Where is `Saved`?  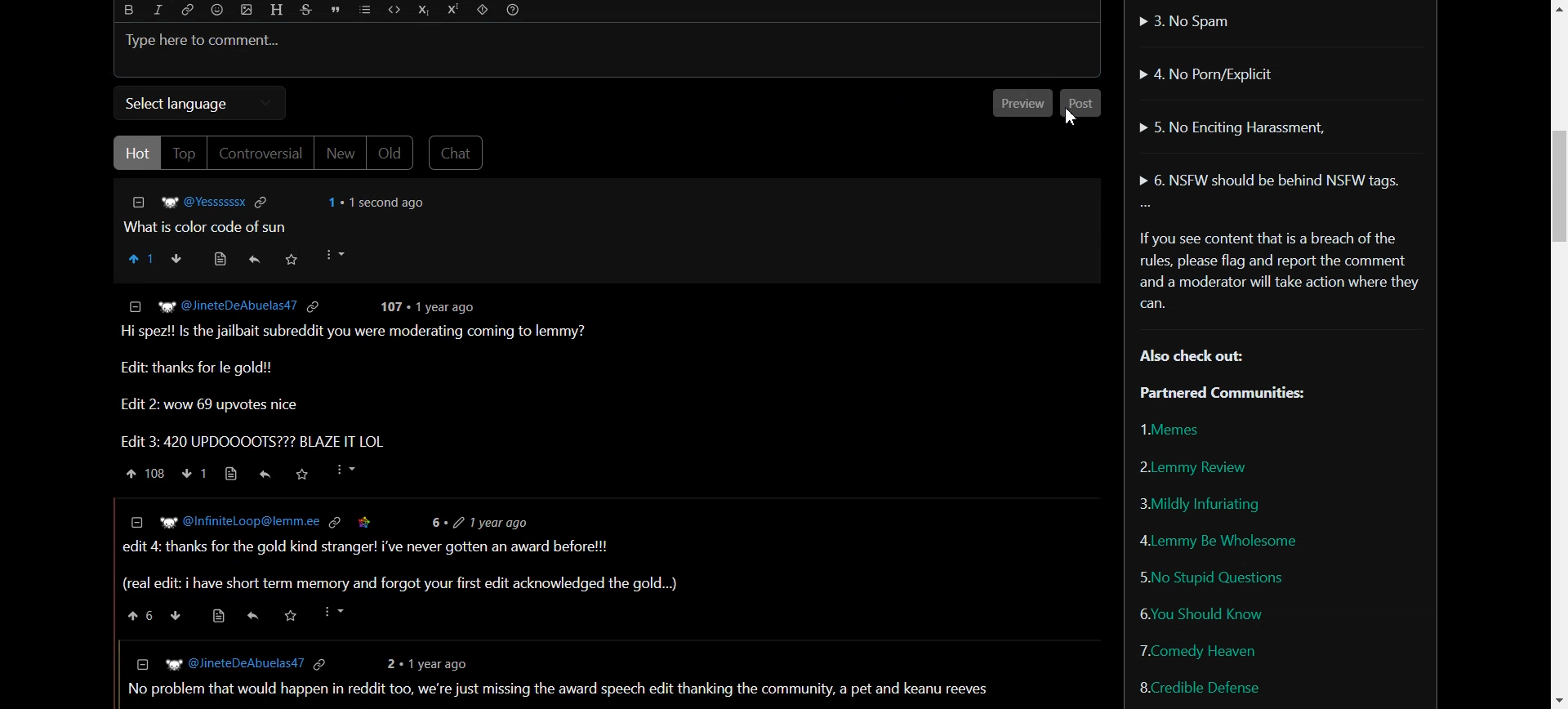 Saved is located at coordinates (292, 261).